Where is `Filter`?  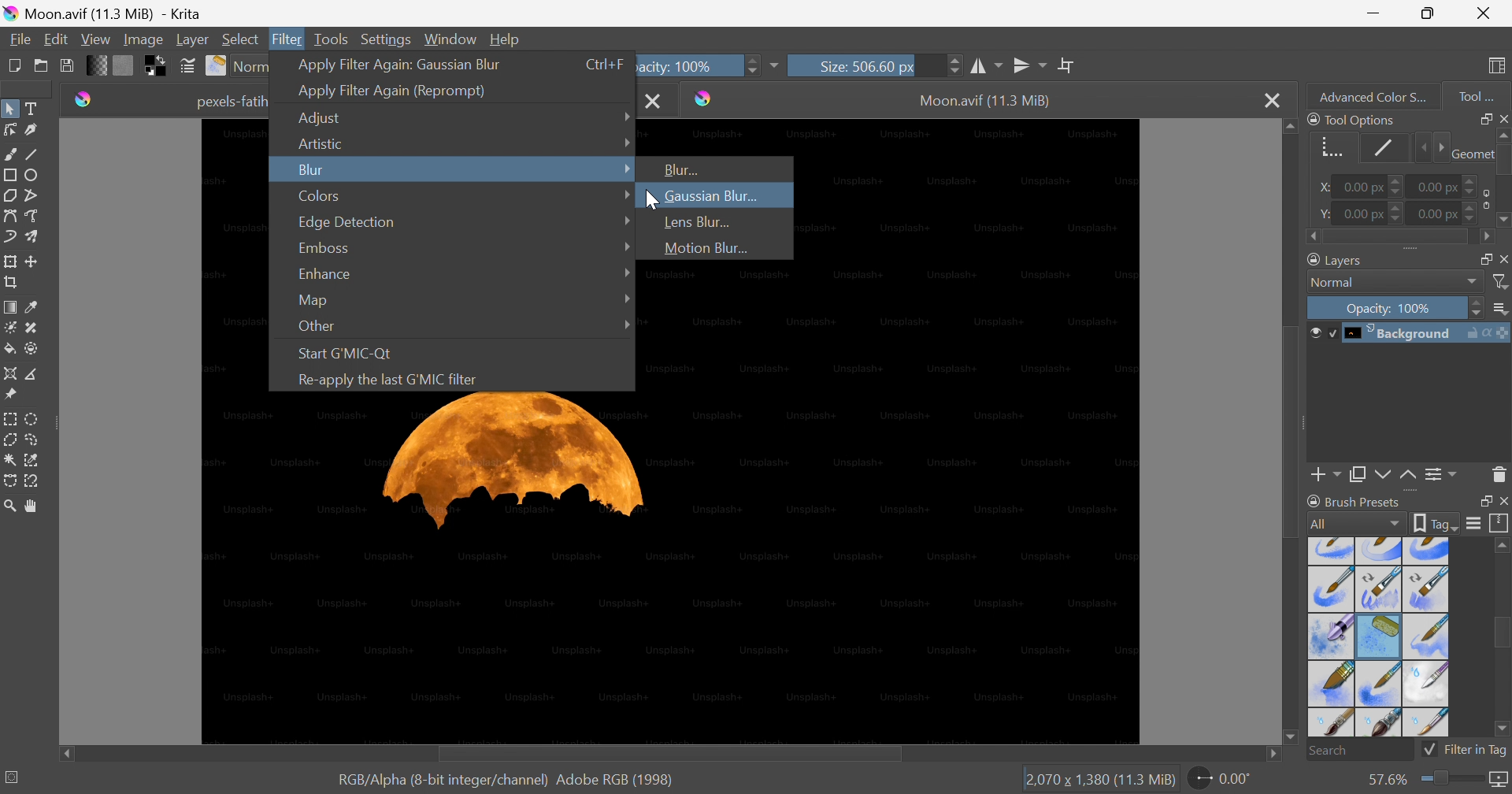
Filter is located at coordinates (288, 39).